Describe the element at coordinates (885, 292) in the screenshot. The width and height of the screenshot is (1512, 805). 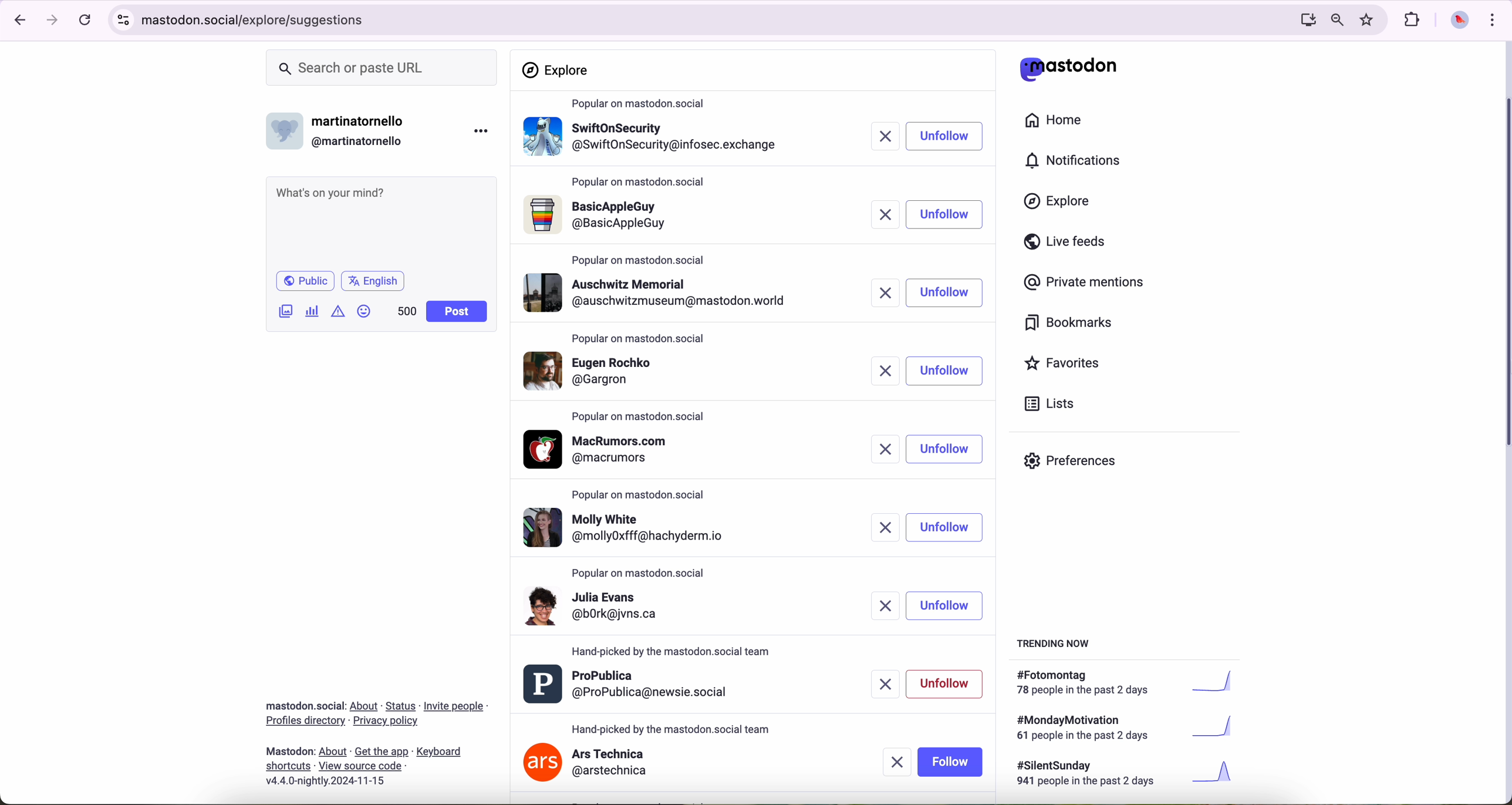
I see `remove` at that location.